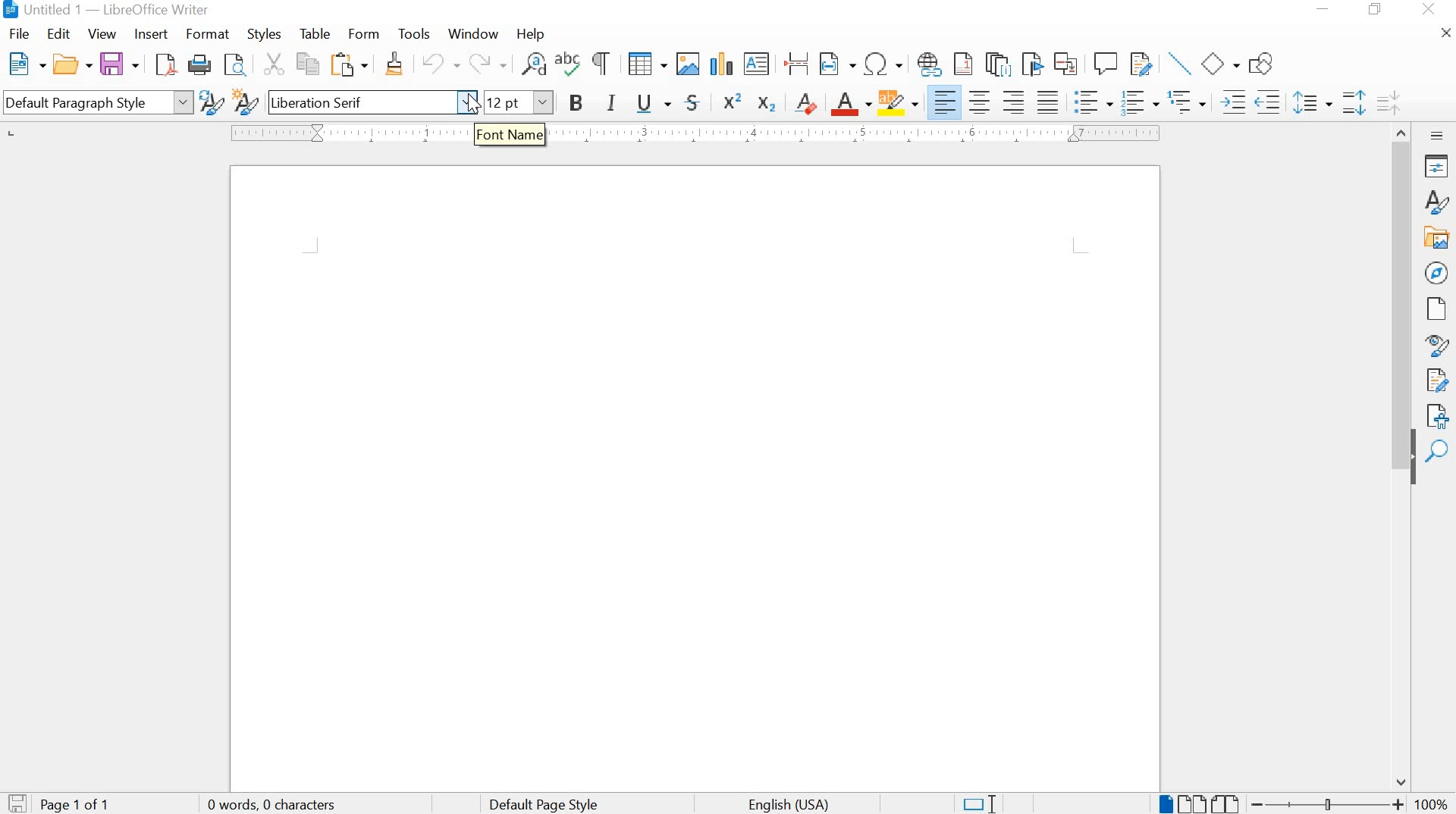 Image resolution: width=1456 pixels, height=814 pixels. Describe the element at coordinates (1311, 102) in the screenshot. I see `SET LINE SPACING` at that location.